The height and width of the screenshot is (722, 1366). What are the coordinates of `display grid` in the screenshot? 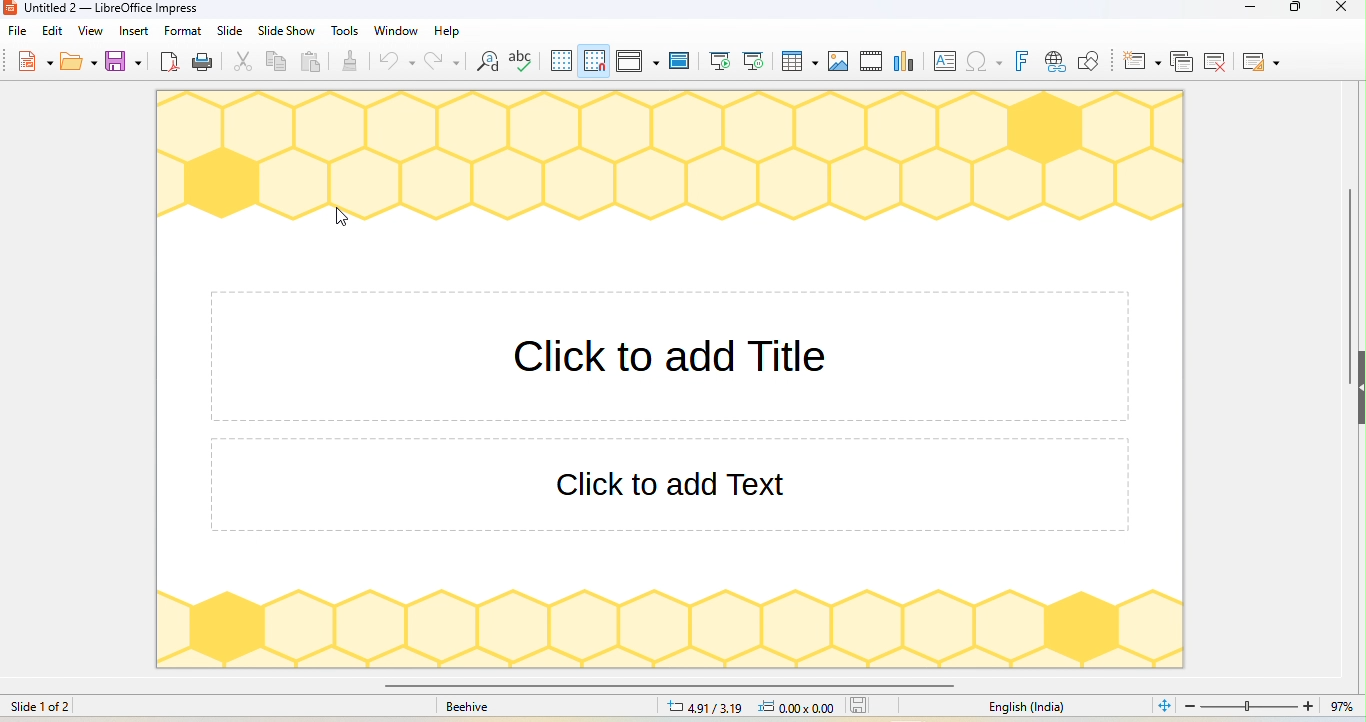 It's located at (560, 61).